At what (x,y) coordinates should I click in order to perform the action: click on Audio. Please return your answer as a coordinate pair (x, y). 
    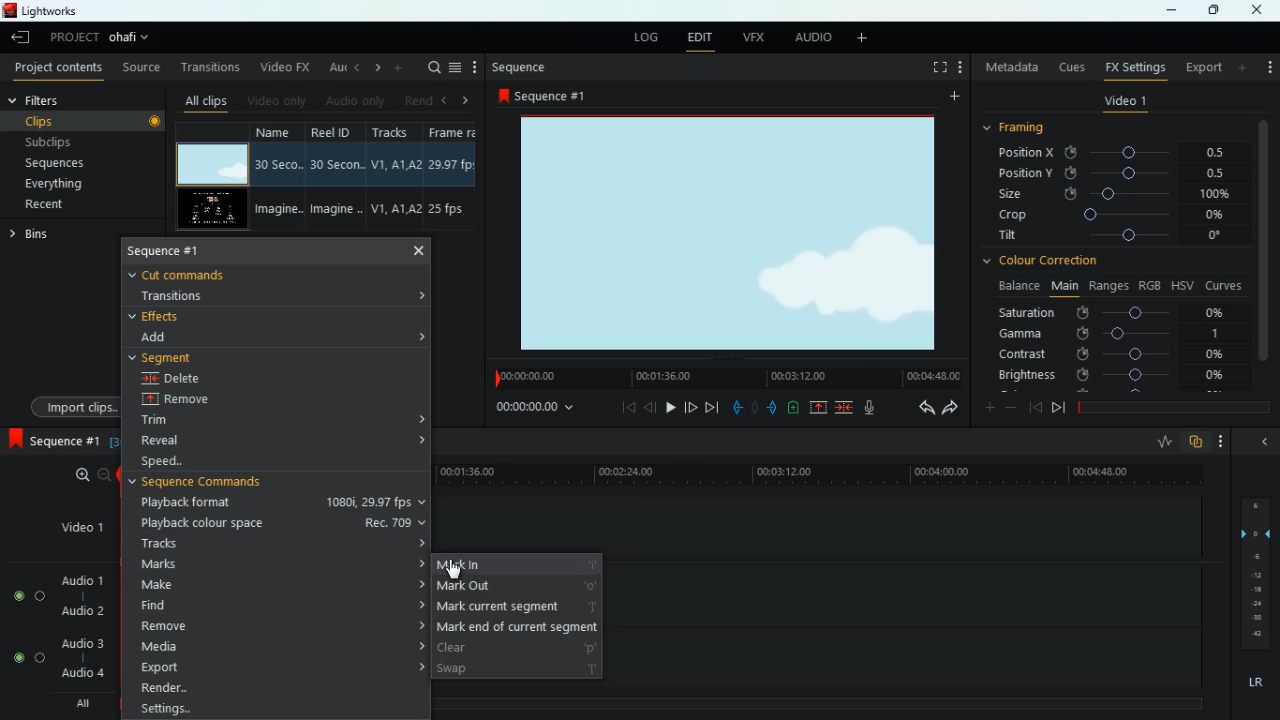
    Looking at the image, I should click on (25, 595).